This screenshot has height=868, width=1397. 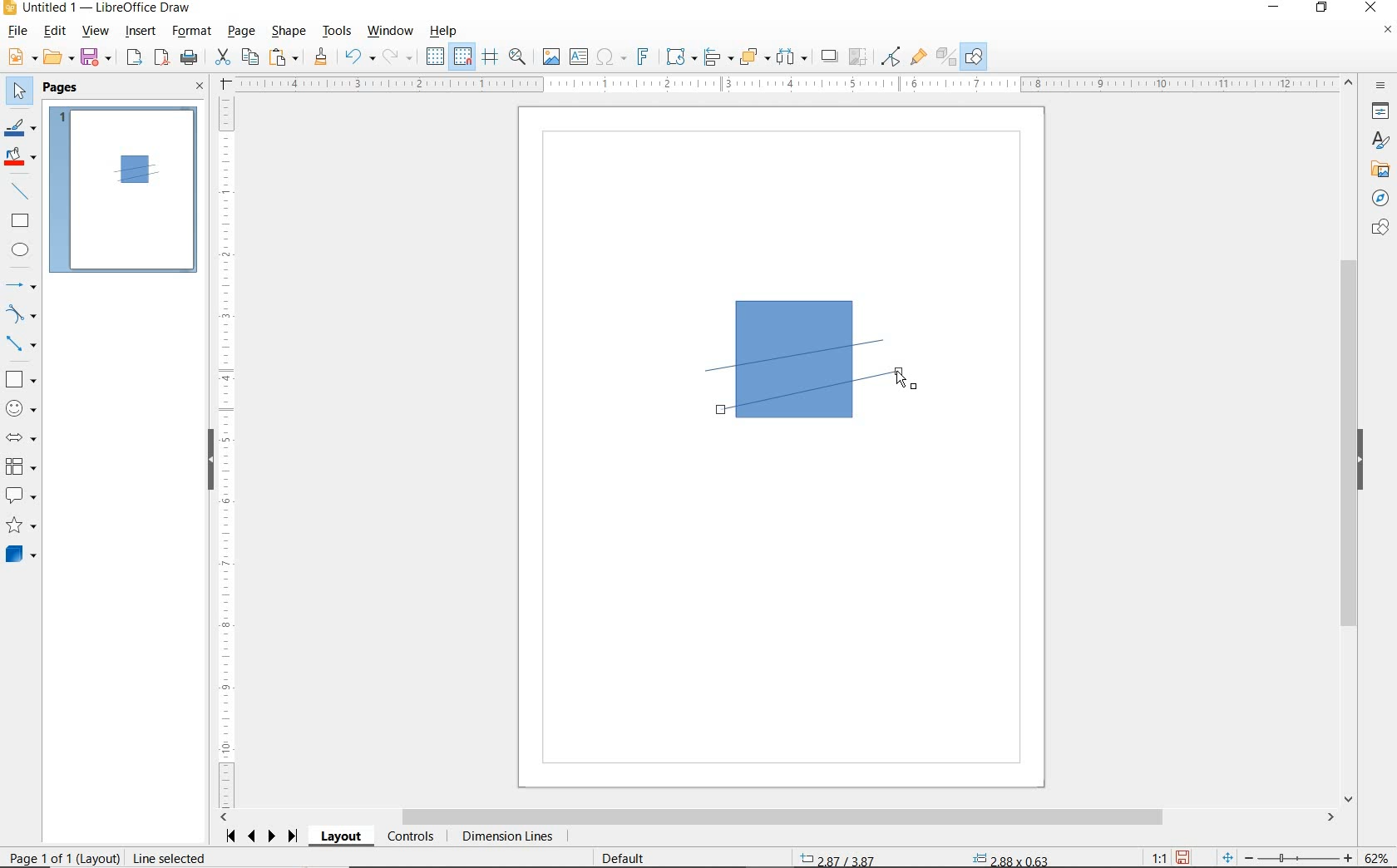 I want to click on WINDOW, so click(x=391, y=32).